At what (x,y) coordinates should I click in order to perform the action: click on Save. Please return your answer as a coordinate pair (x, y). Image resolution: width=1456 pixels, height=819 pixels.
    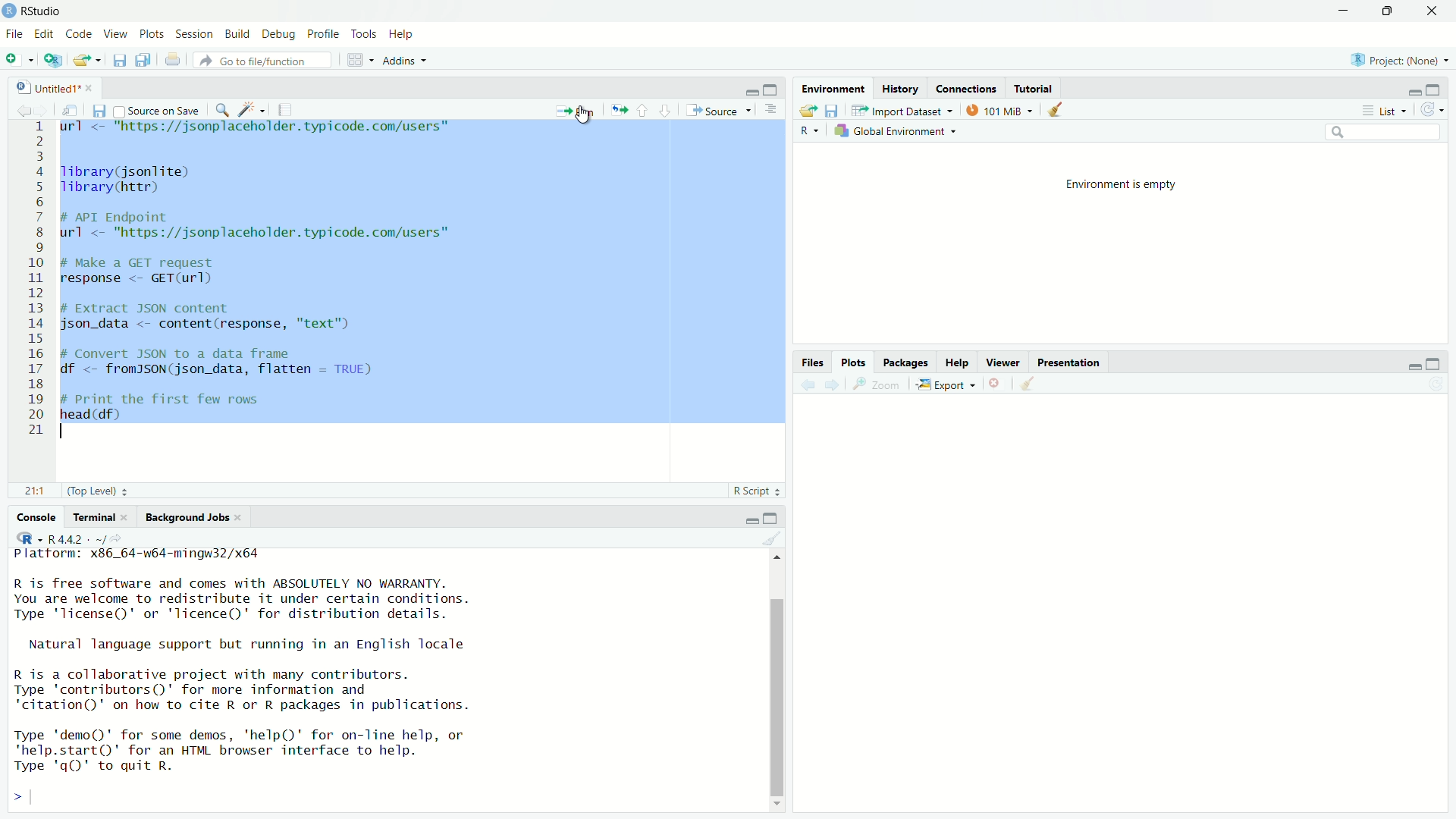
    Looking at the image, I should click on (98, 112).